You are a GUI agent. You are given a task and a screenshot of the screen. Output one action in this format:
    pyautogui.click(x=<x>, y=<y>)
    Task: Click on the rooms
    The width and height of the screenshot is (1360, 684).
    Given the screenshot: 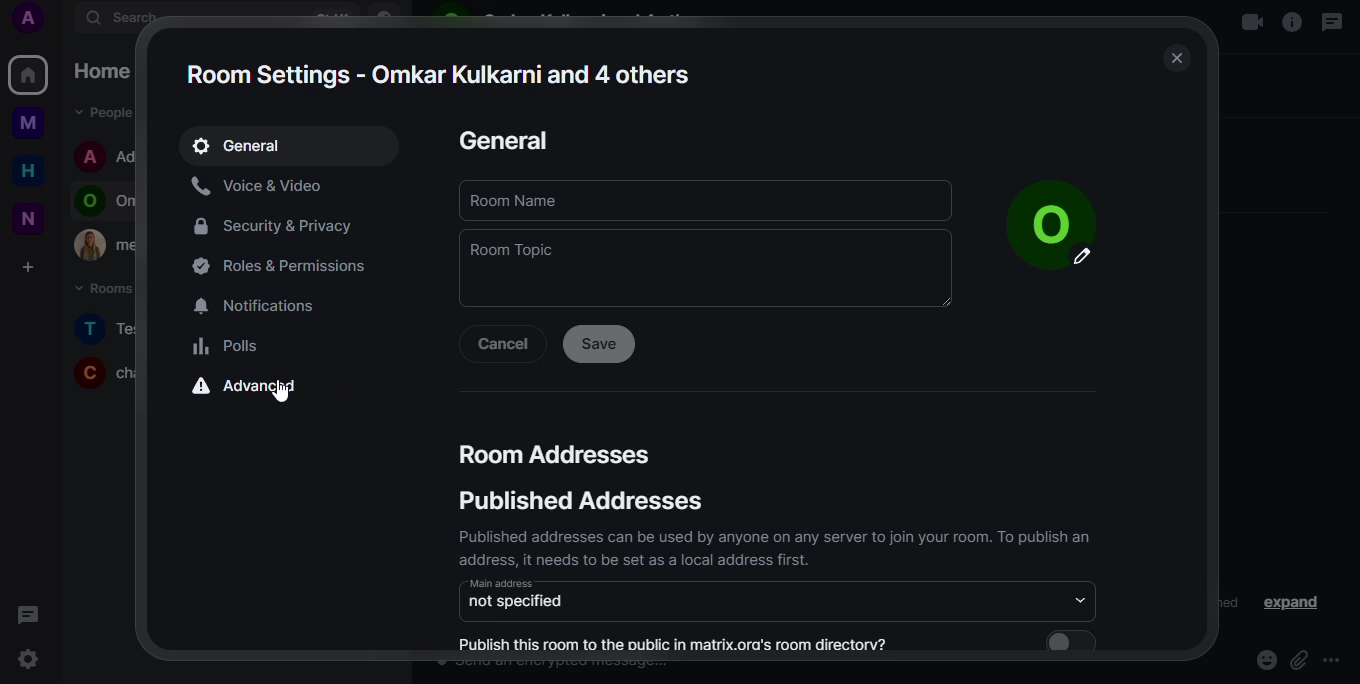 What is the action you would take?
    pyautogui.click(x=102, y=289)
    